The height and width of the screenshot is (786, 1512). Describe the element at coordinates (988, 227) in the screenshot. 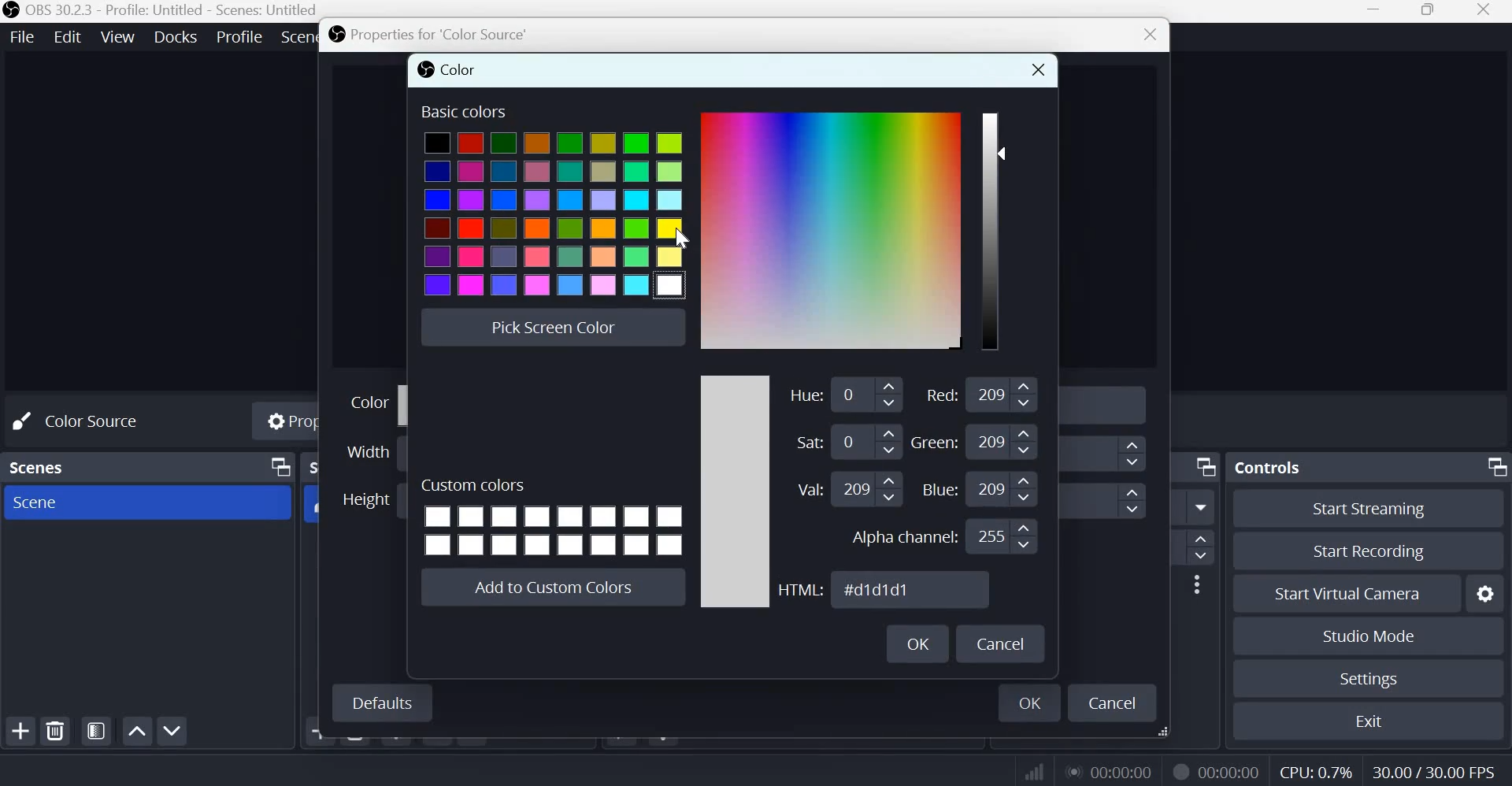

I see `color scale` at that location.